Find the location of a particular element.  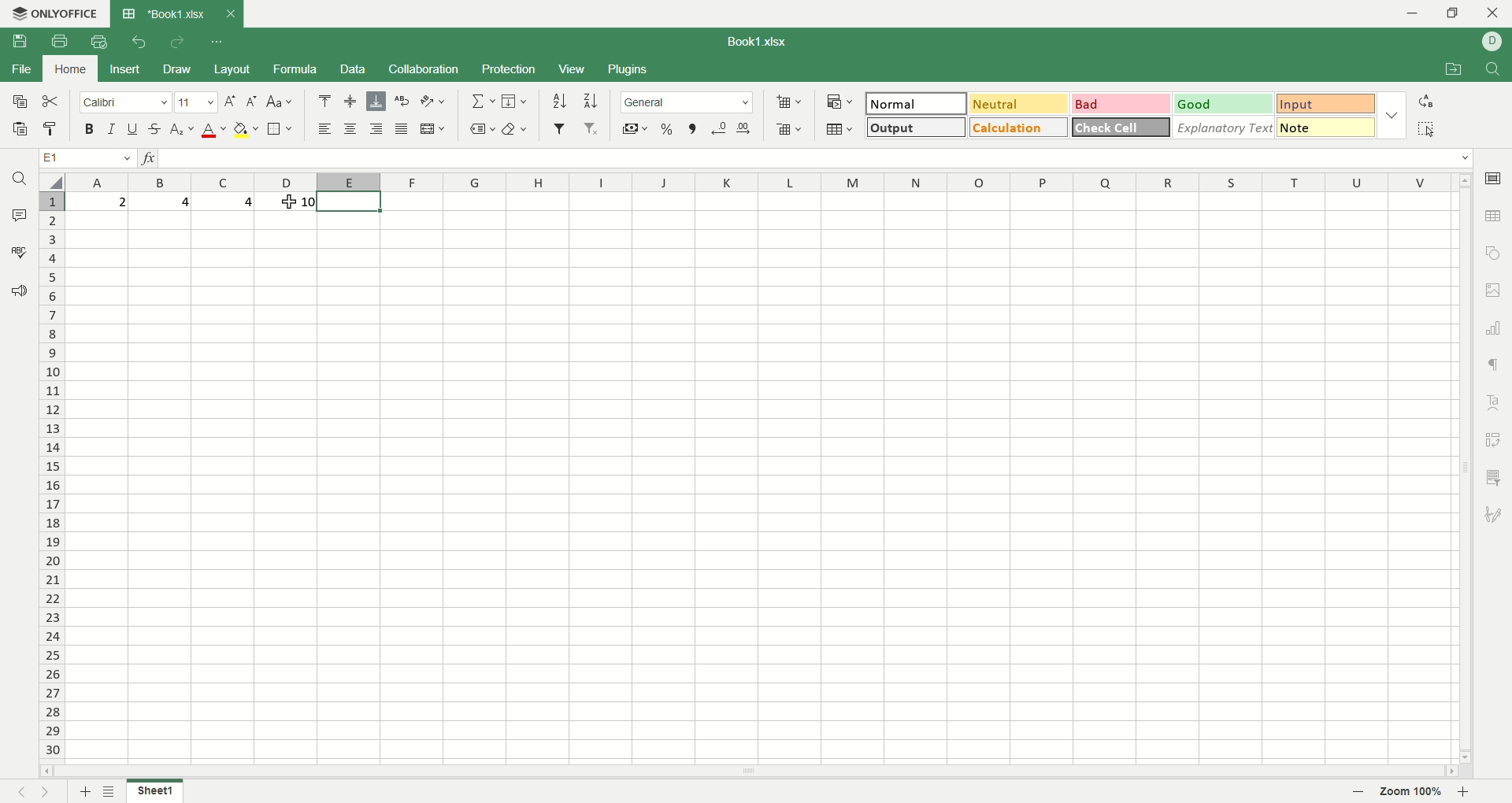

font is located at coordinates (124, 103).